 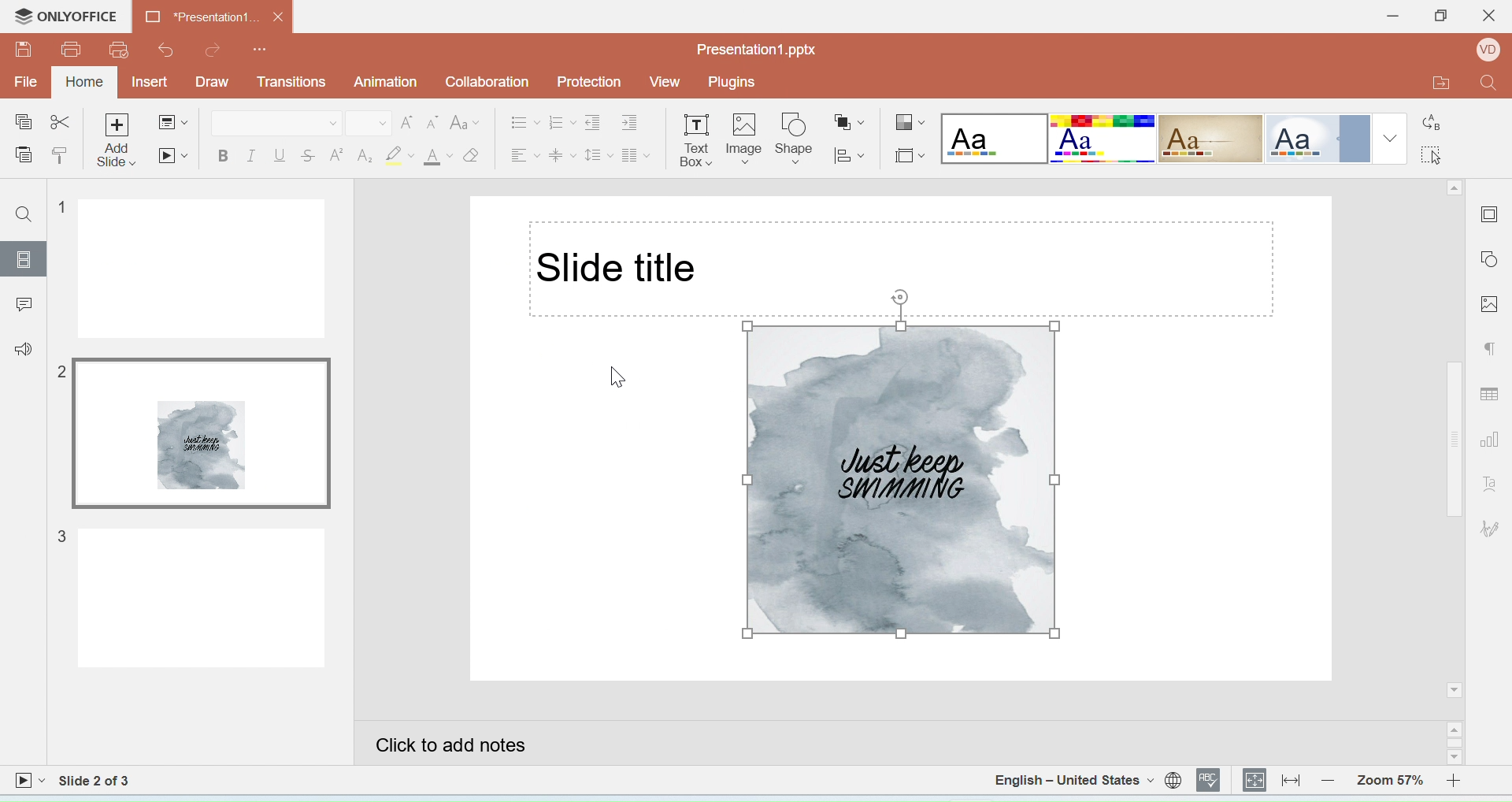 What do you see at coordinates (1431, 84) in the screenshot?
I see `Open file location` at bounding box center [1431, 84].